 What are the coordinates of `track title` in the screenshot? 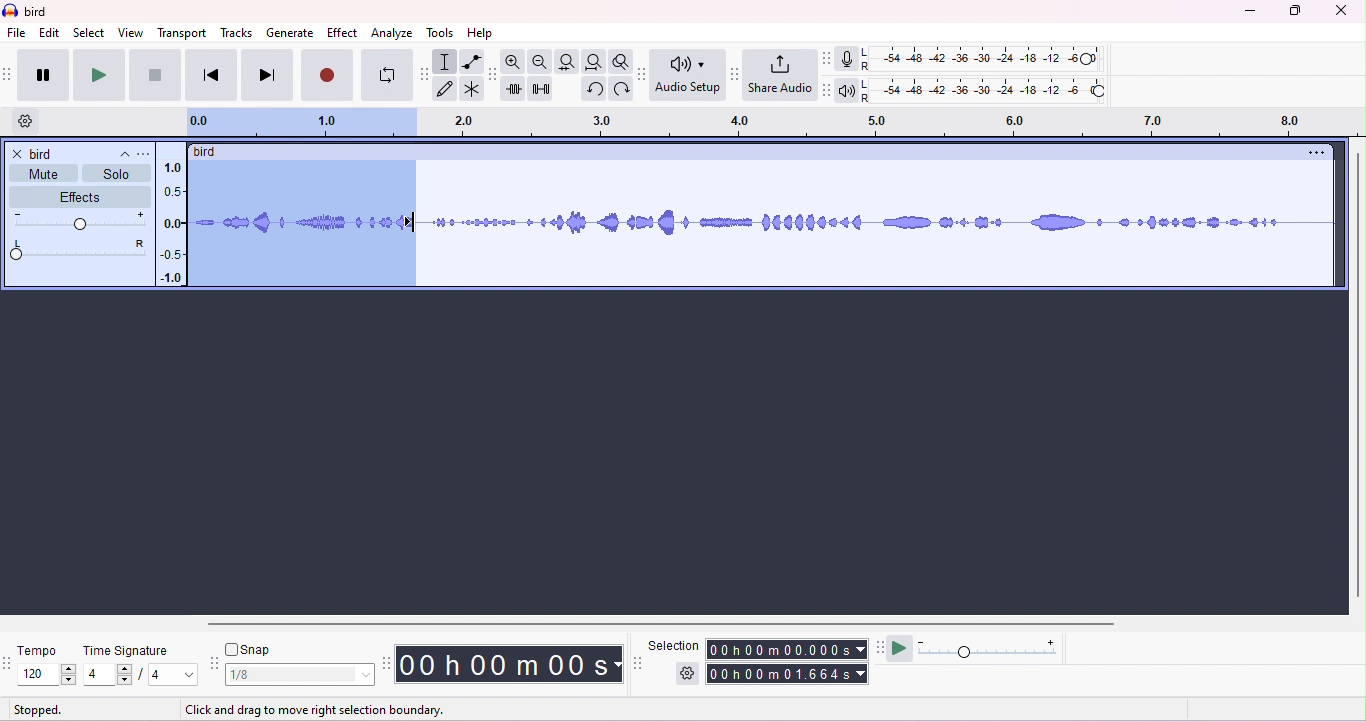 It's located at (81, 153).